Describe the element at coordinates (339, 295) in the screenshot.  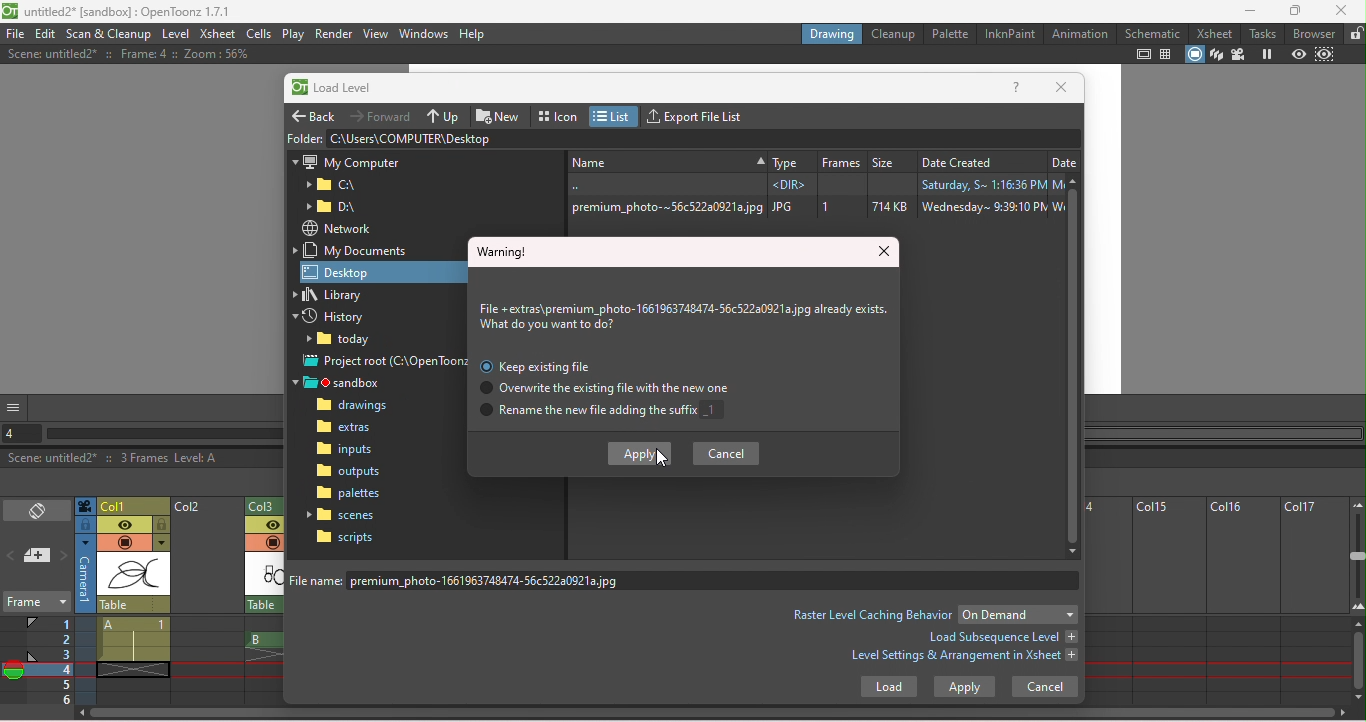
I see `Library` at that location.